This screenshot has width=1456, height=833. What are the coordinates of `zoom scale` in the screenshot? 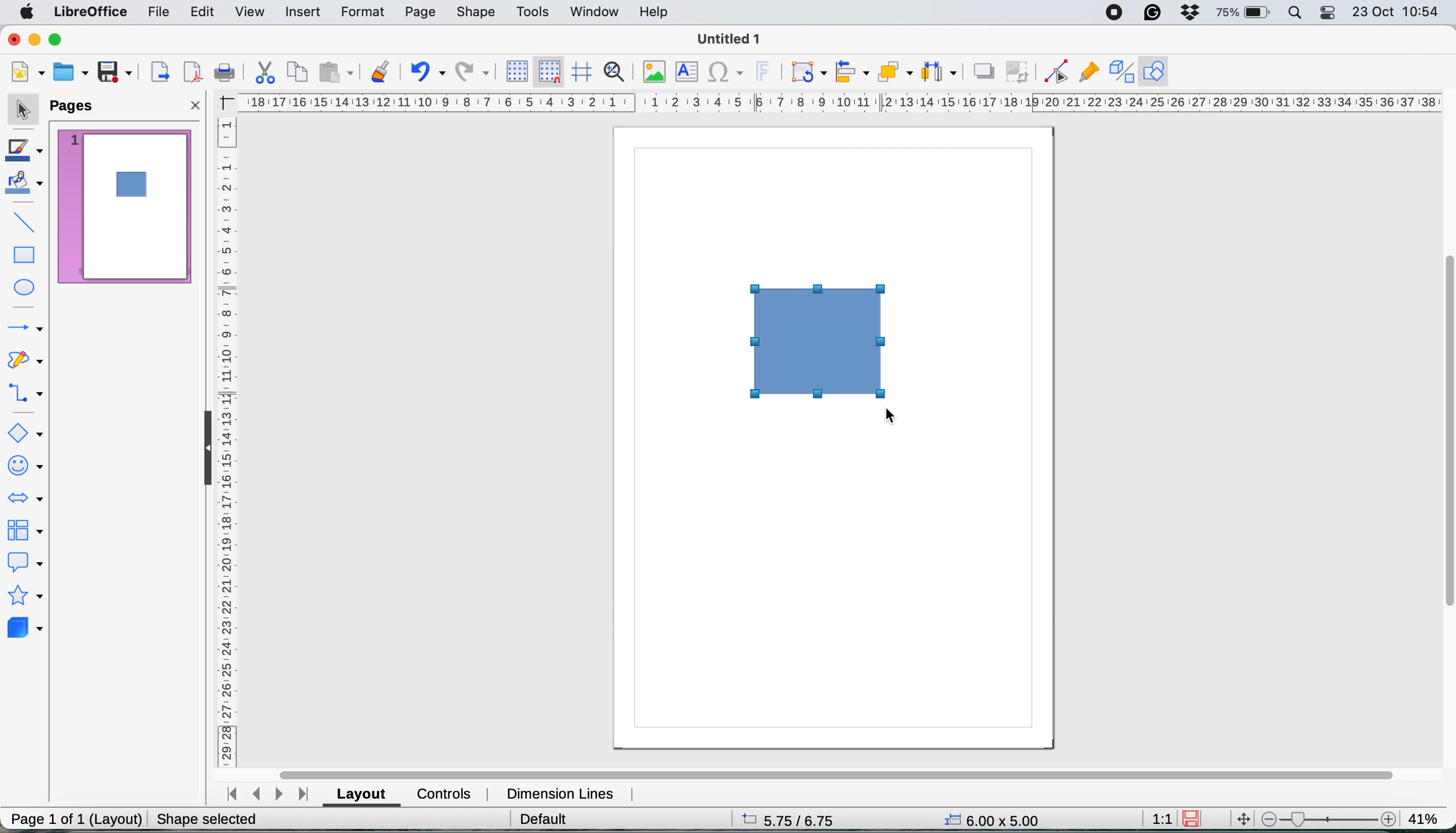 It's located at (1328, 818).